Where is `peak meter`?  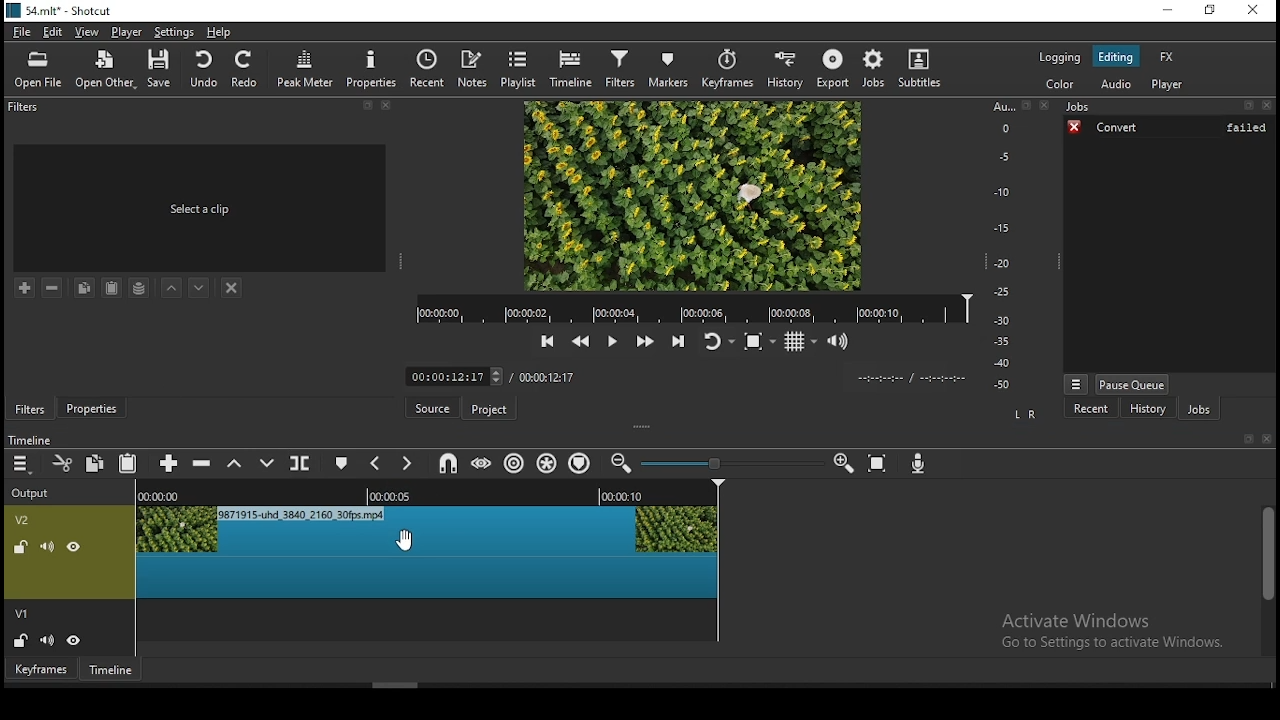 peak meter is located at coordinates (303, 67).